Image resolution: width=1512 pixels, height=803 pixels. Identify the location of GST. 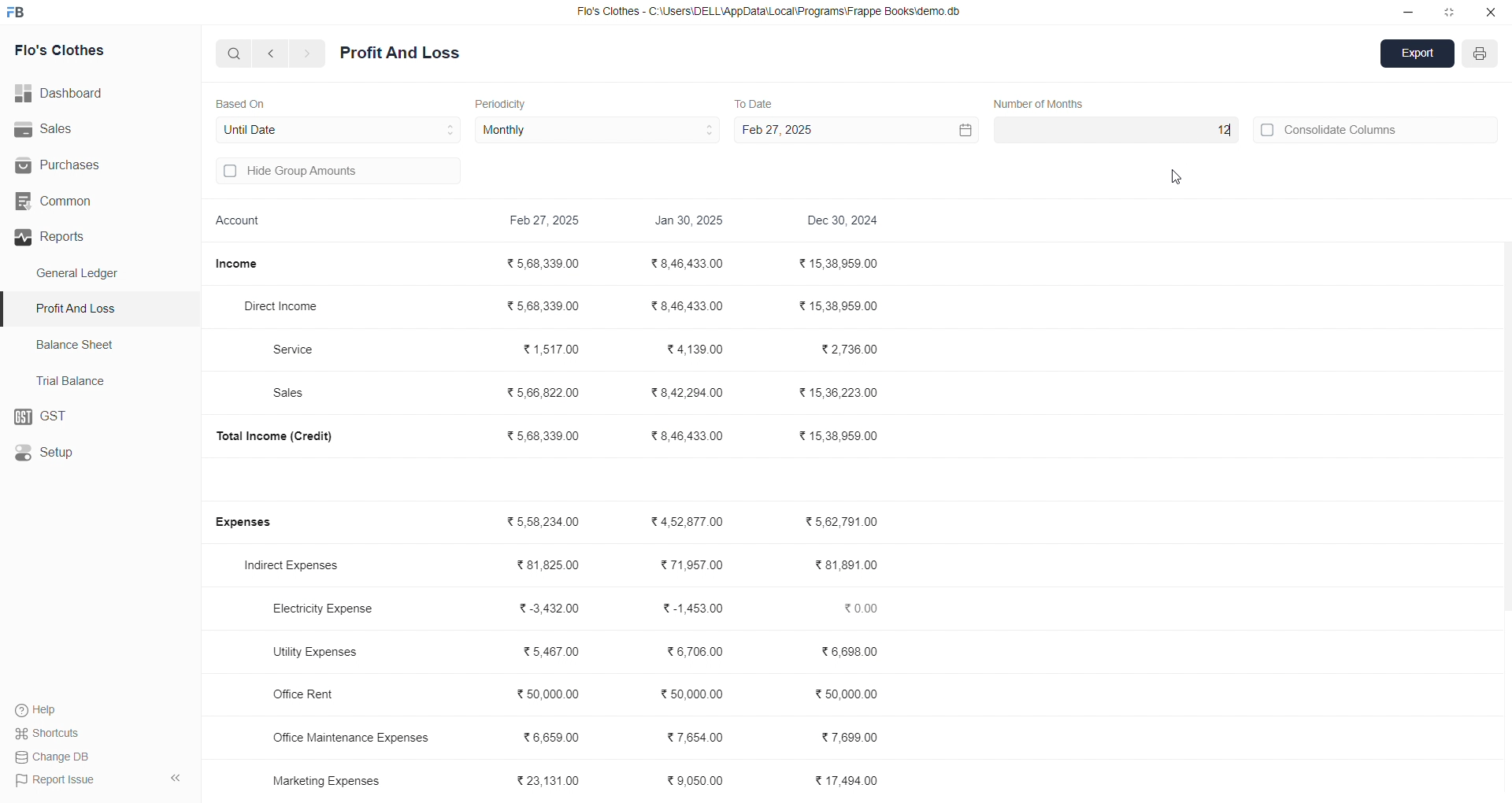
(98, 417).